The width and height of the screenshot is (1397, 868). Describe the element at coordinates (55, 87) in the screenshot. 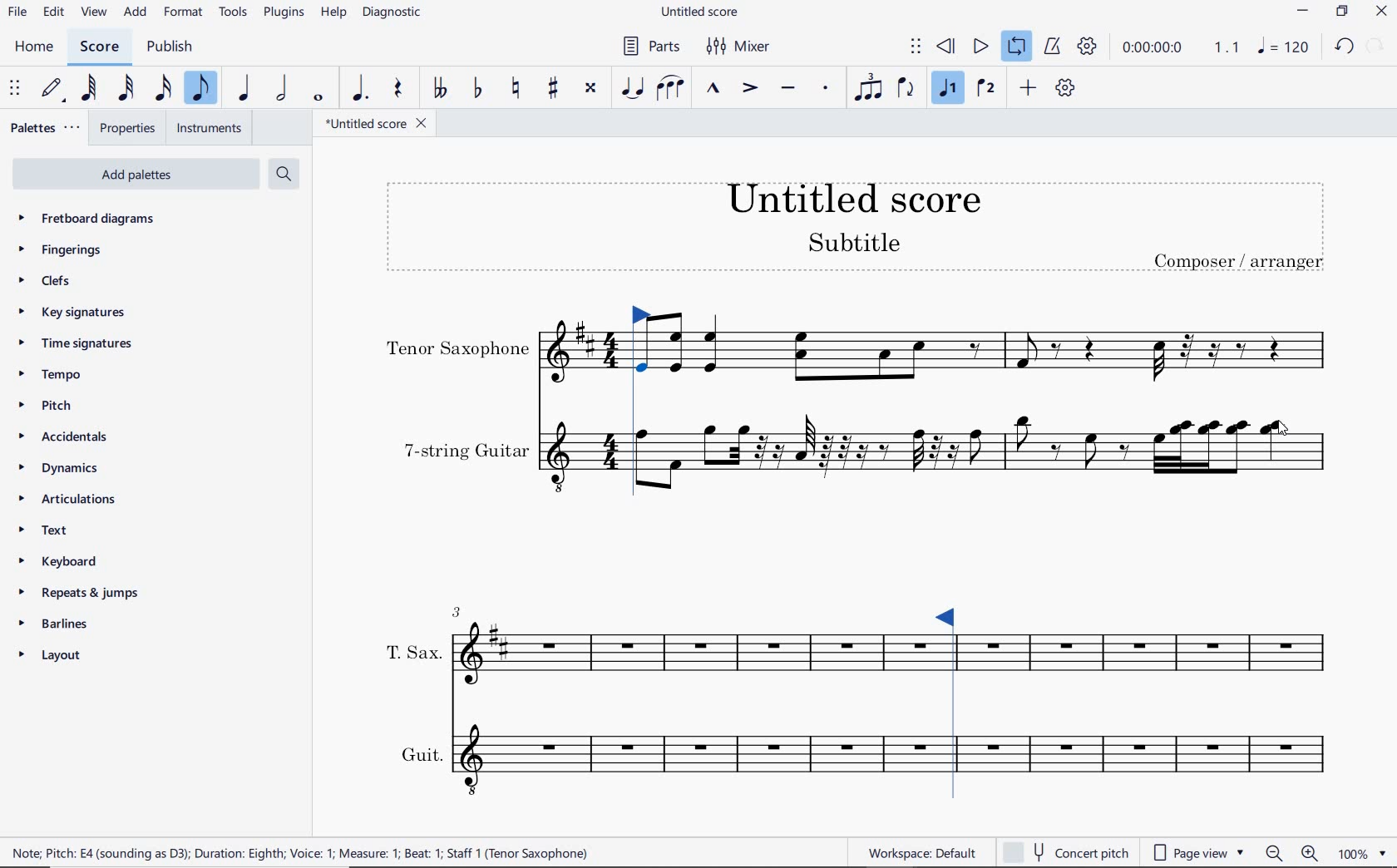

I see `DEFAULT (STEP TIME)` at that location.